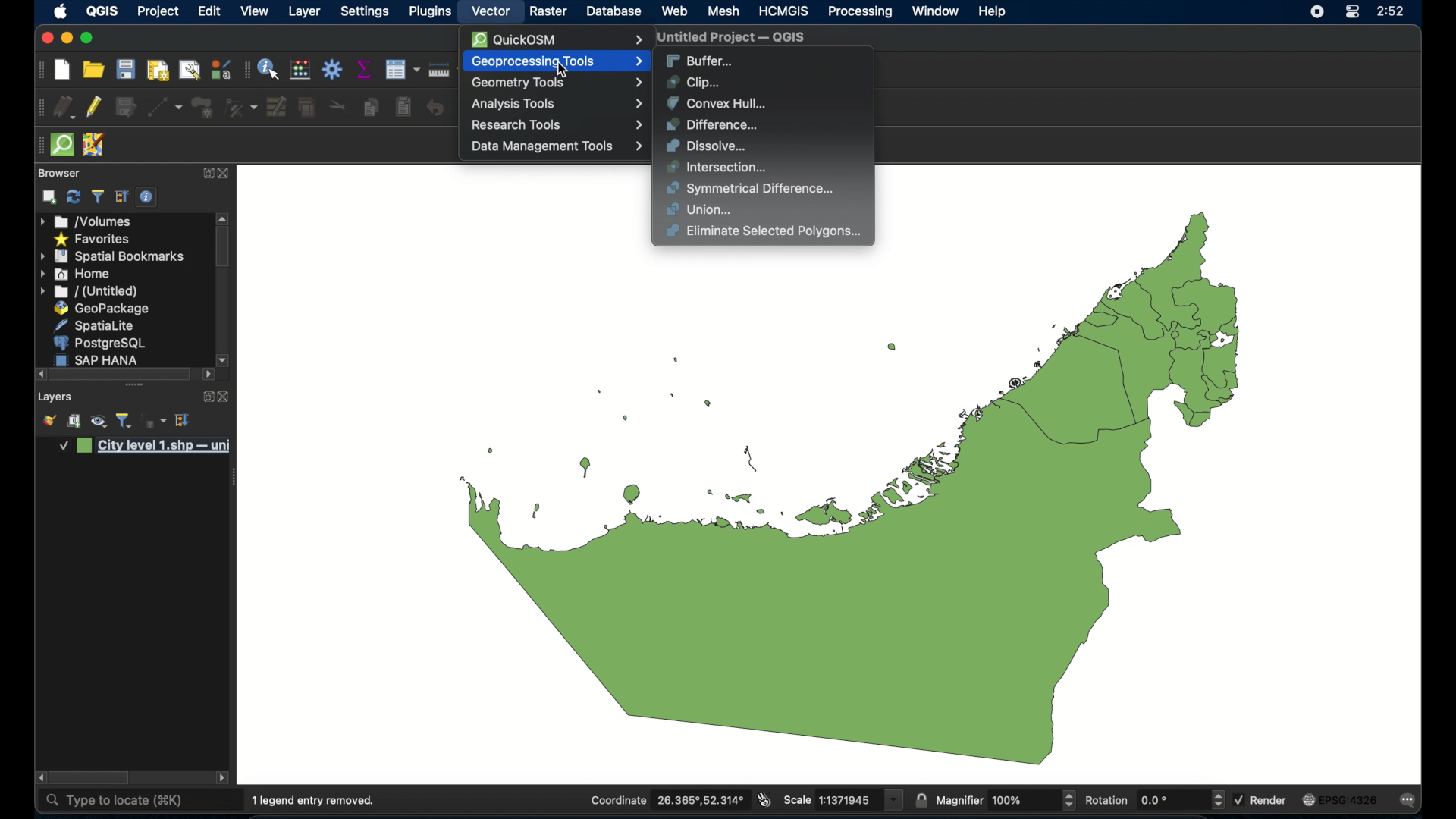 This screenshot has width=1456, height=819. What do you see at coordinates (921, 799) in the screenshot?
I see `lock scale` at bounding box center [921, 799].